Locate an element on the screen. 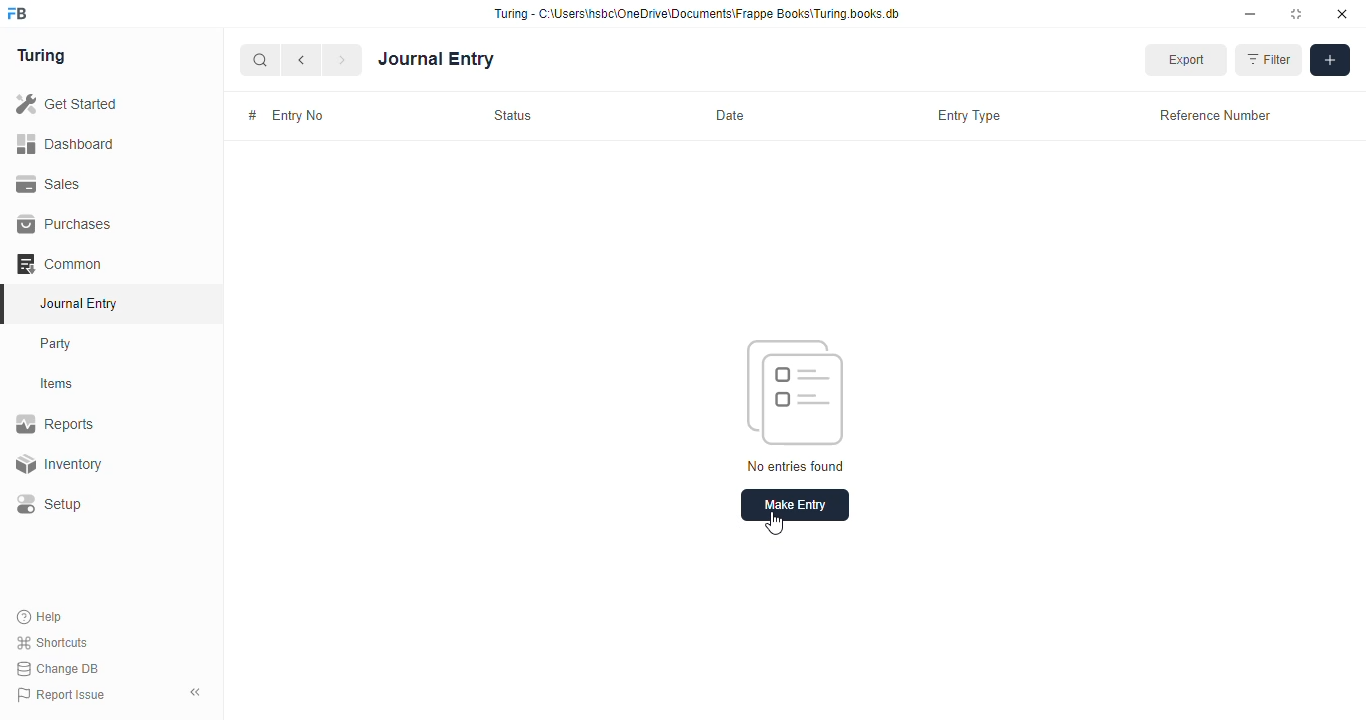 The height and width of the screenshot is (720, 1366). help is located at coordinates (41, 616).